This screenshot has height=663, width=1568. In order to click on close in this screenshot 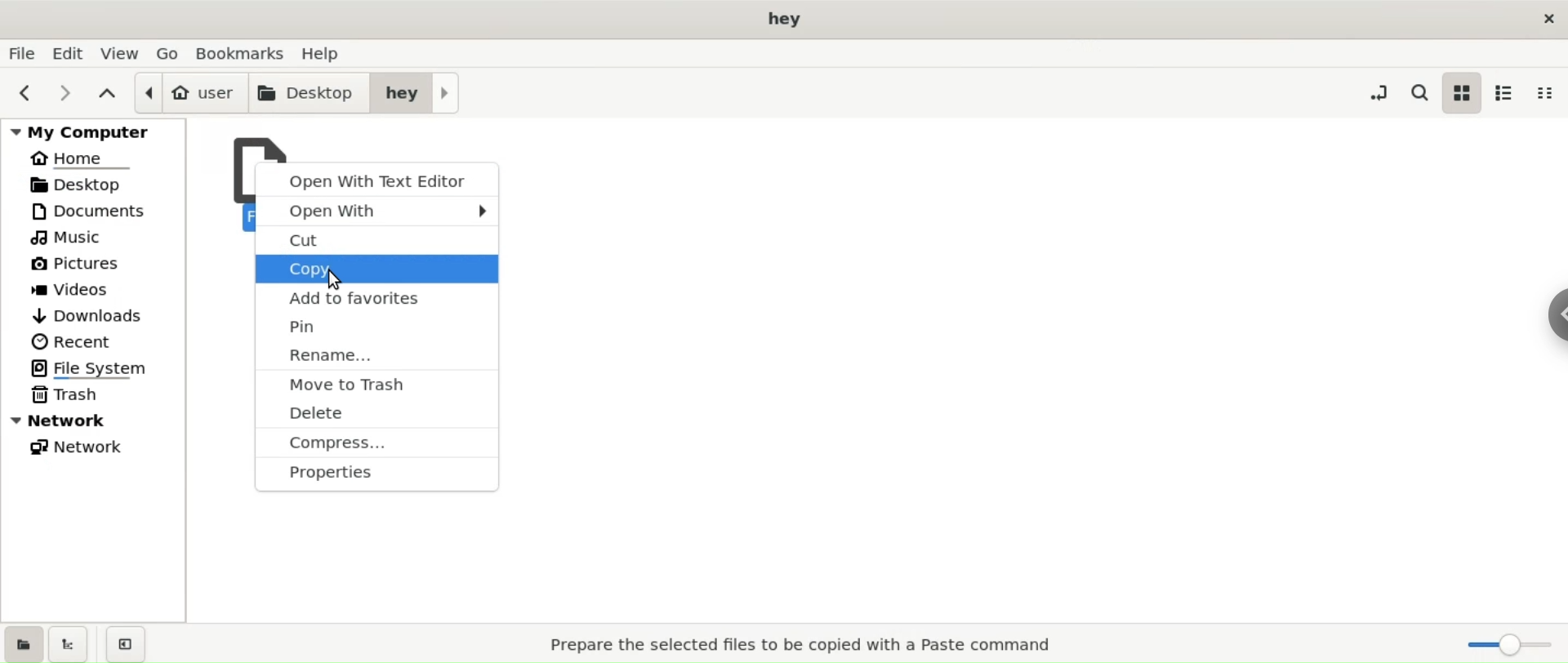, I will do `click(1546, 16)`.